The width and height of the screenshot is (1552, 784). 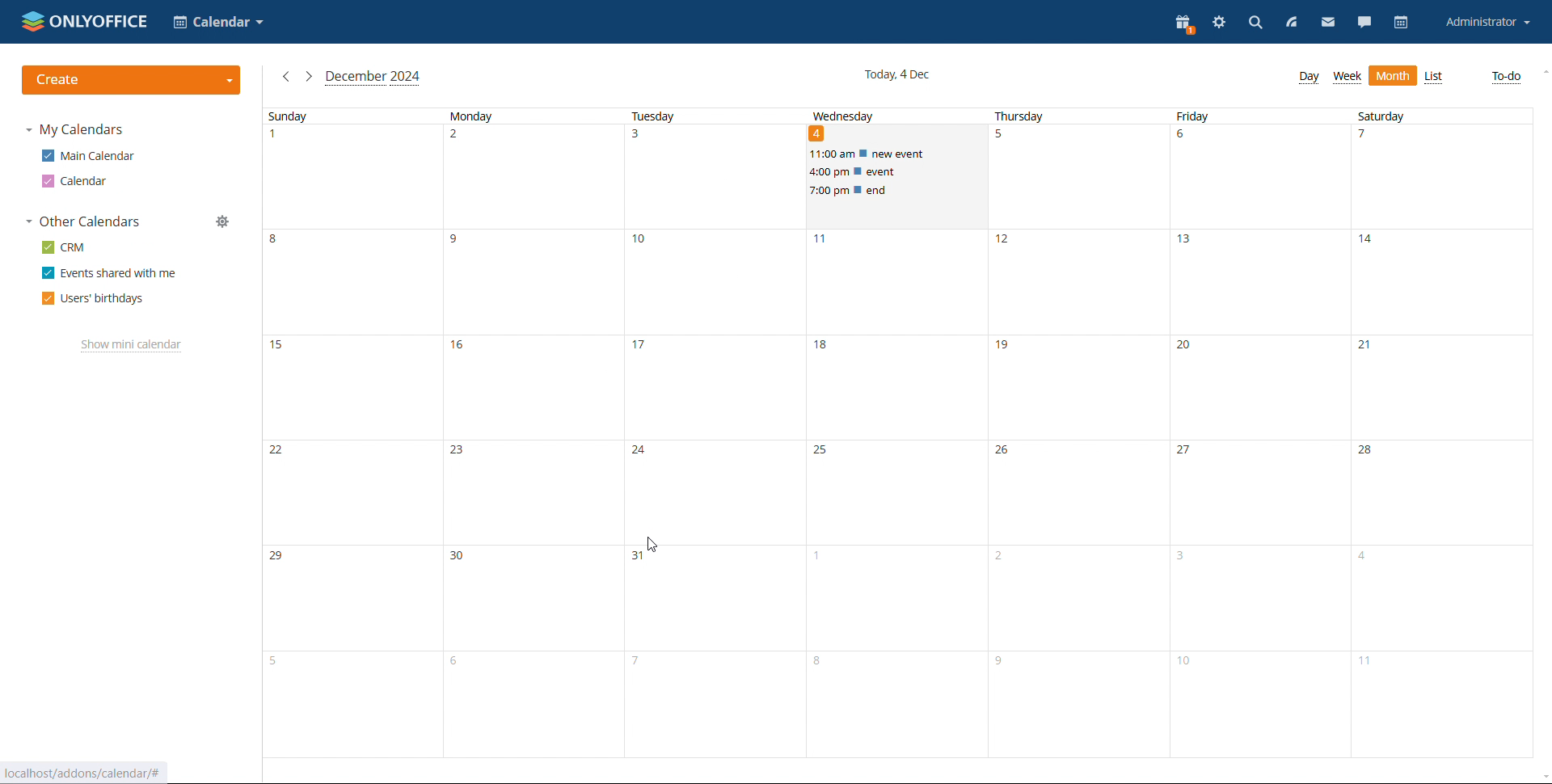 What do you see at coordinates (1347, 78) in the screenshot?
I see `week` at bounding box center [1347, 78].